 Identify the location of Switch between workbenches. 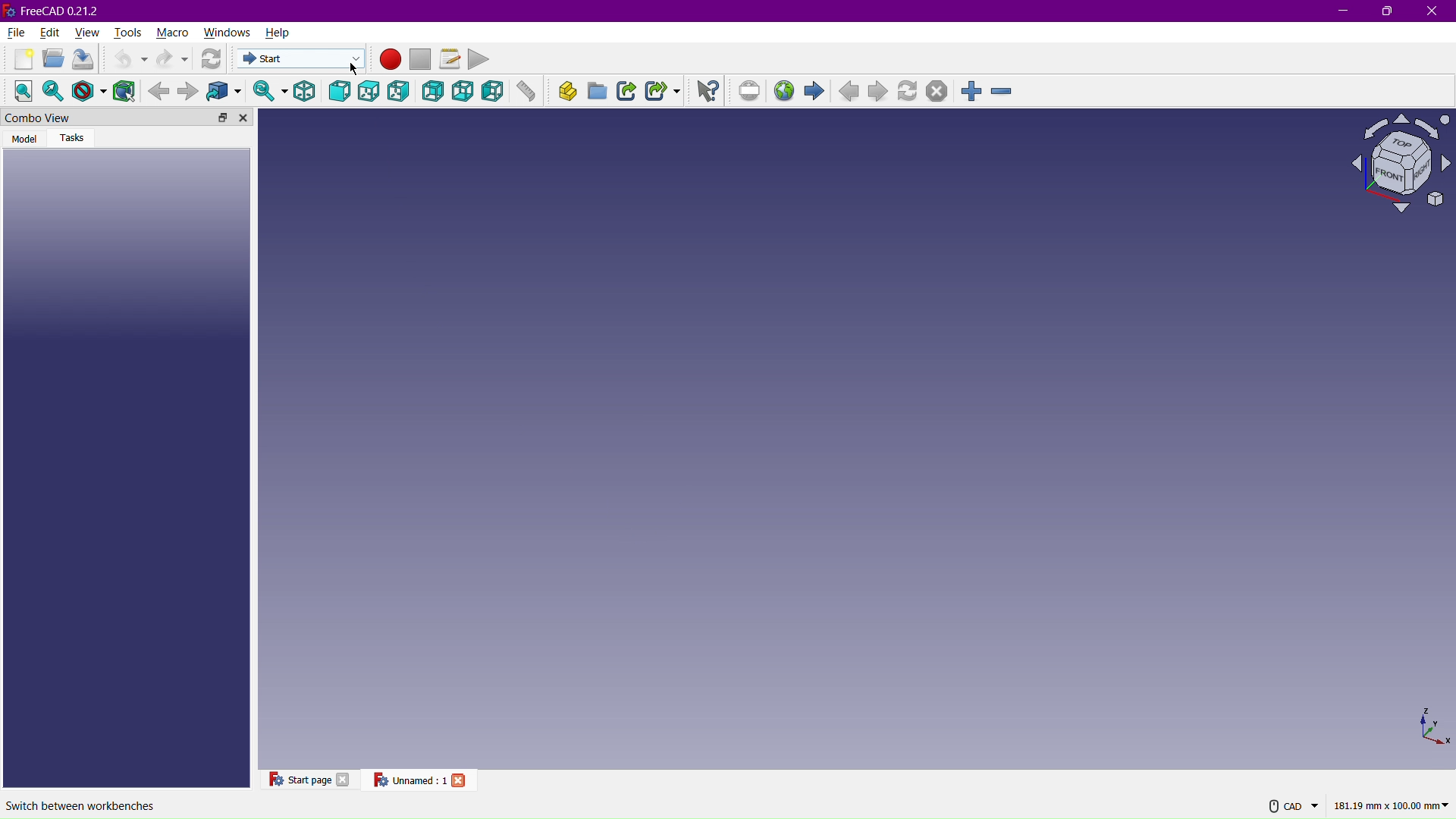
(81, 805).